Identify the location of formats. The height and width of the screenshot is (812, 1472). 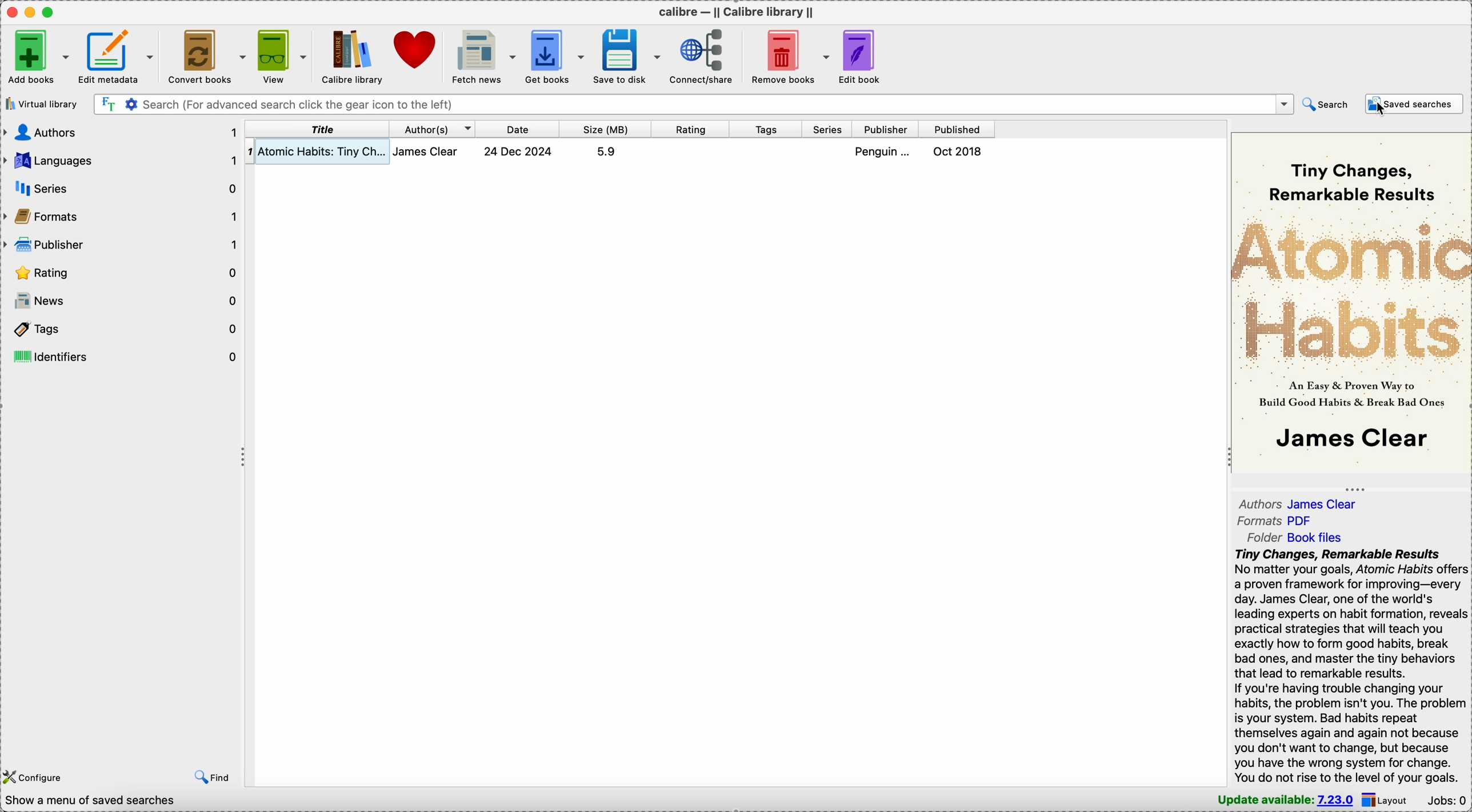
(123, 218).